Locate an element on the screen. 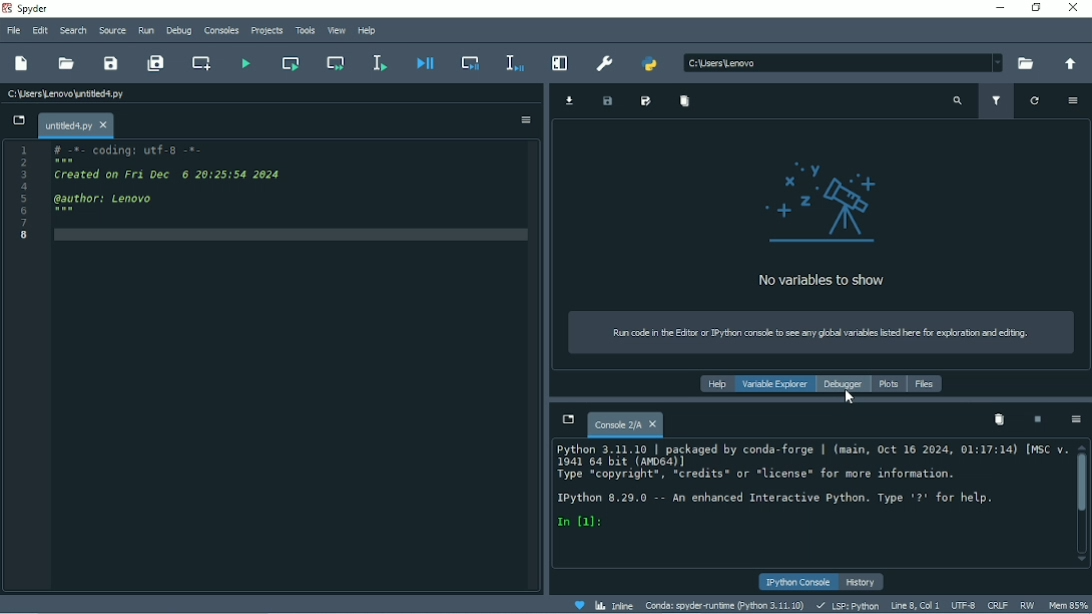  Run code in the editor or IPython console to see any global variables listed here for exploration and editing. is located at coordinates (817, 332).